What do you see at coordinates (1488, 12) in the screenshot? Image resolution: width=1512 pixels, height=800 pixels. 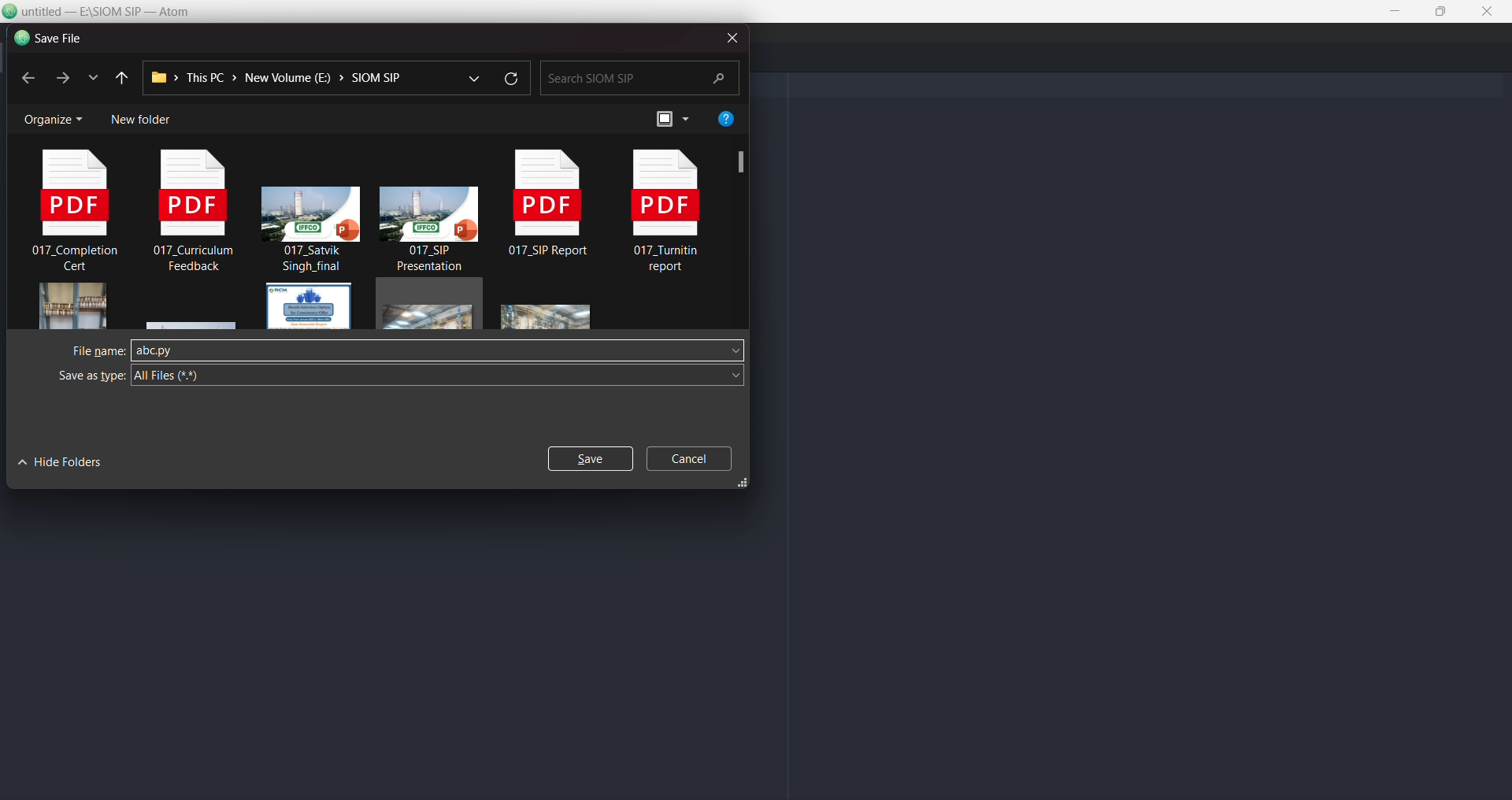 I see `close` at bounding box center [1488, 12].